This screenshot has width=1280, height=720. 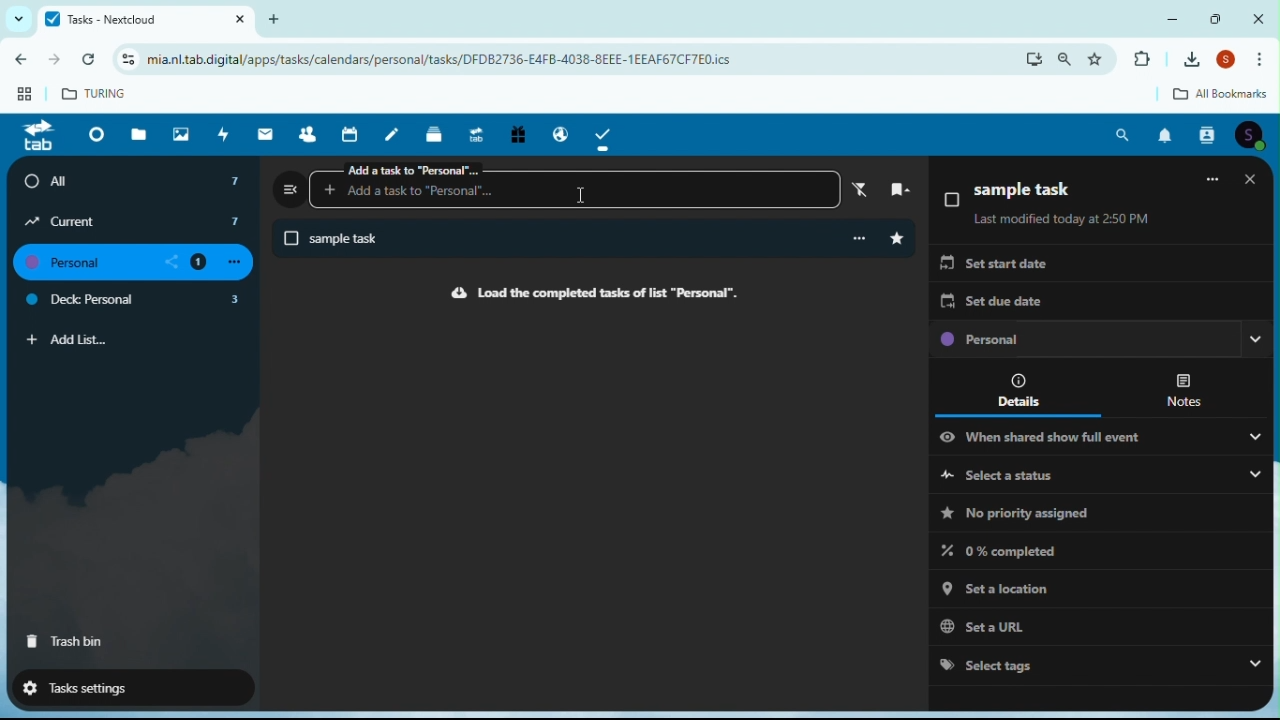 I want to click on Files, so click(x=142, y=133).